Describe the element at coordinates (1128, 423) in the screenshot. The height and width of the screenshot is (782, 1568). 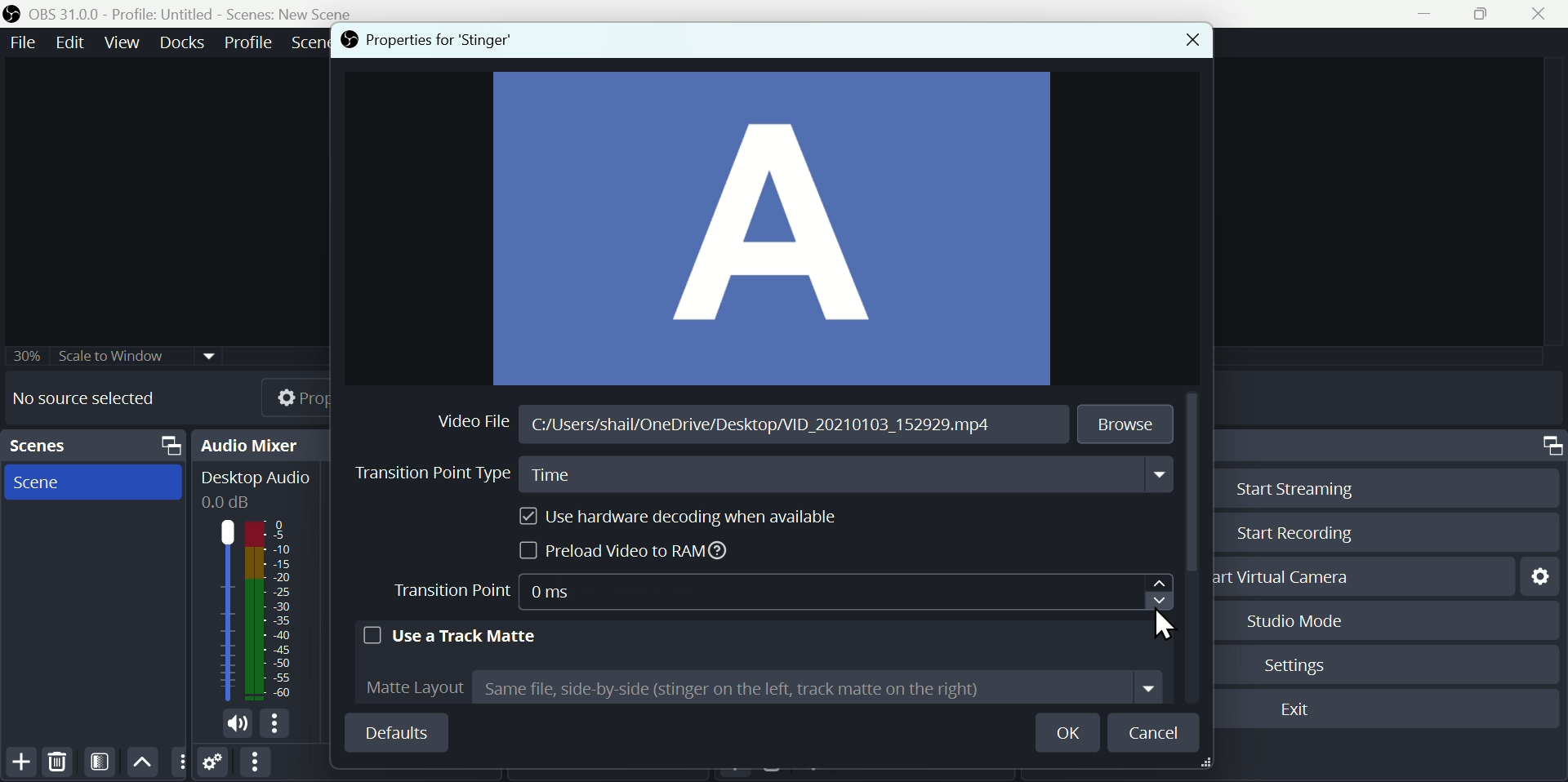
I see `Browse` at that location.